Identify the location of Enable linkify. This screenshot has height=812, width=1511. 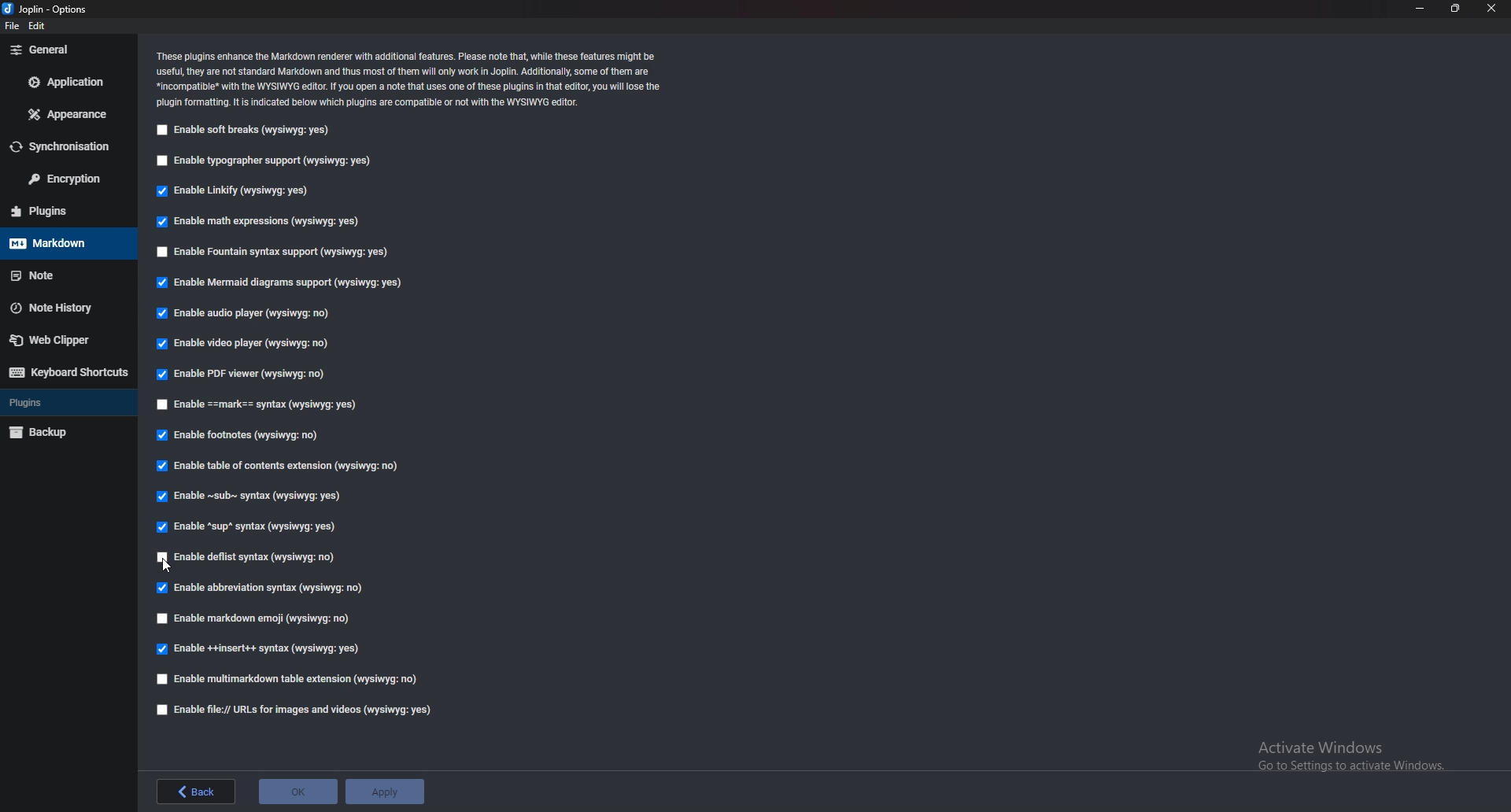
(236, 190).